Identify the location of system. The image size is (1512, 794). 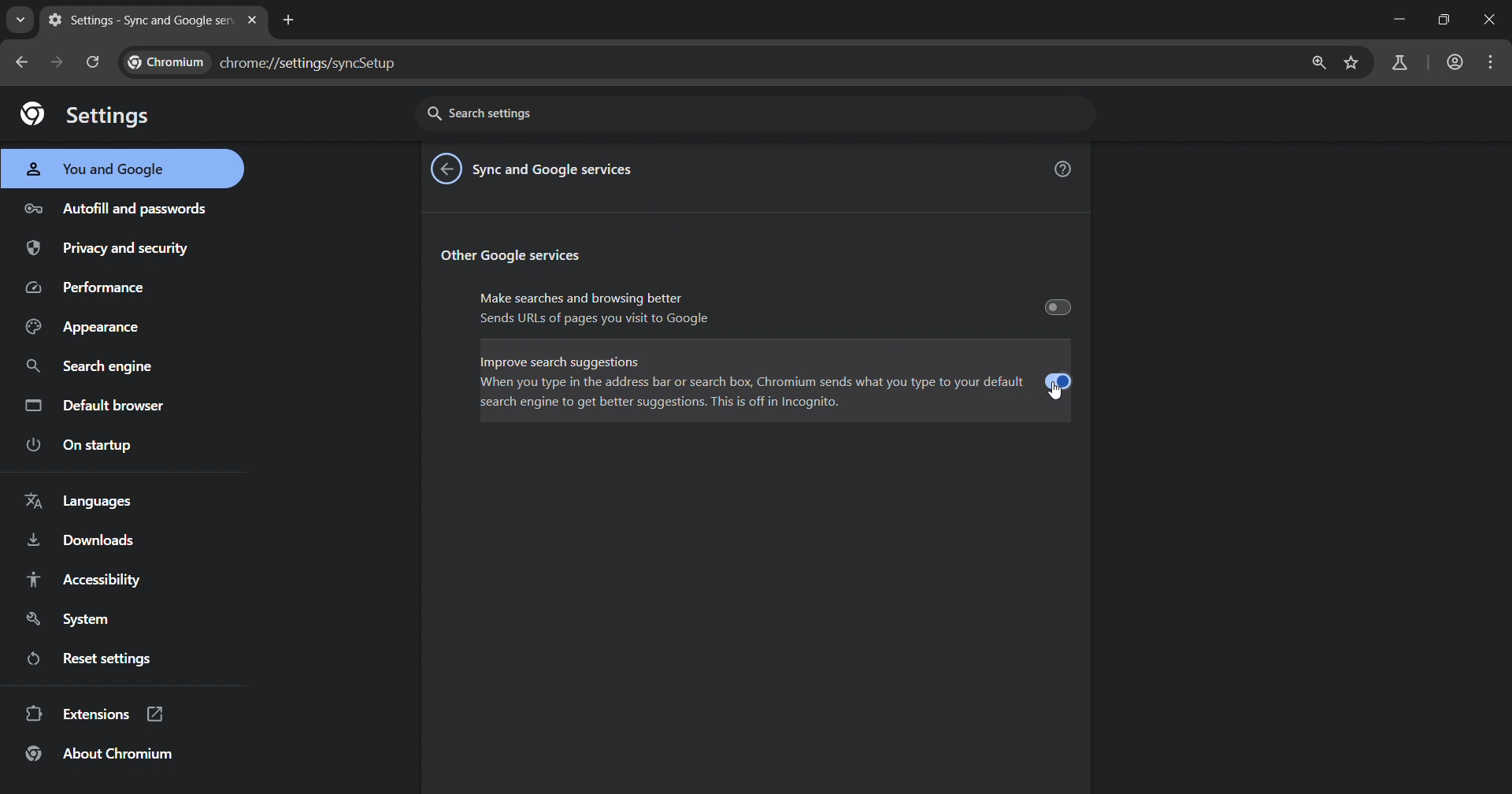
(72, 619).